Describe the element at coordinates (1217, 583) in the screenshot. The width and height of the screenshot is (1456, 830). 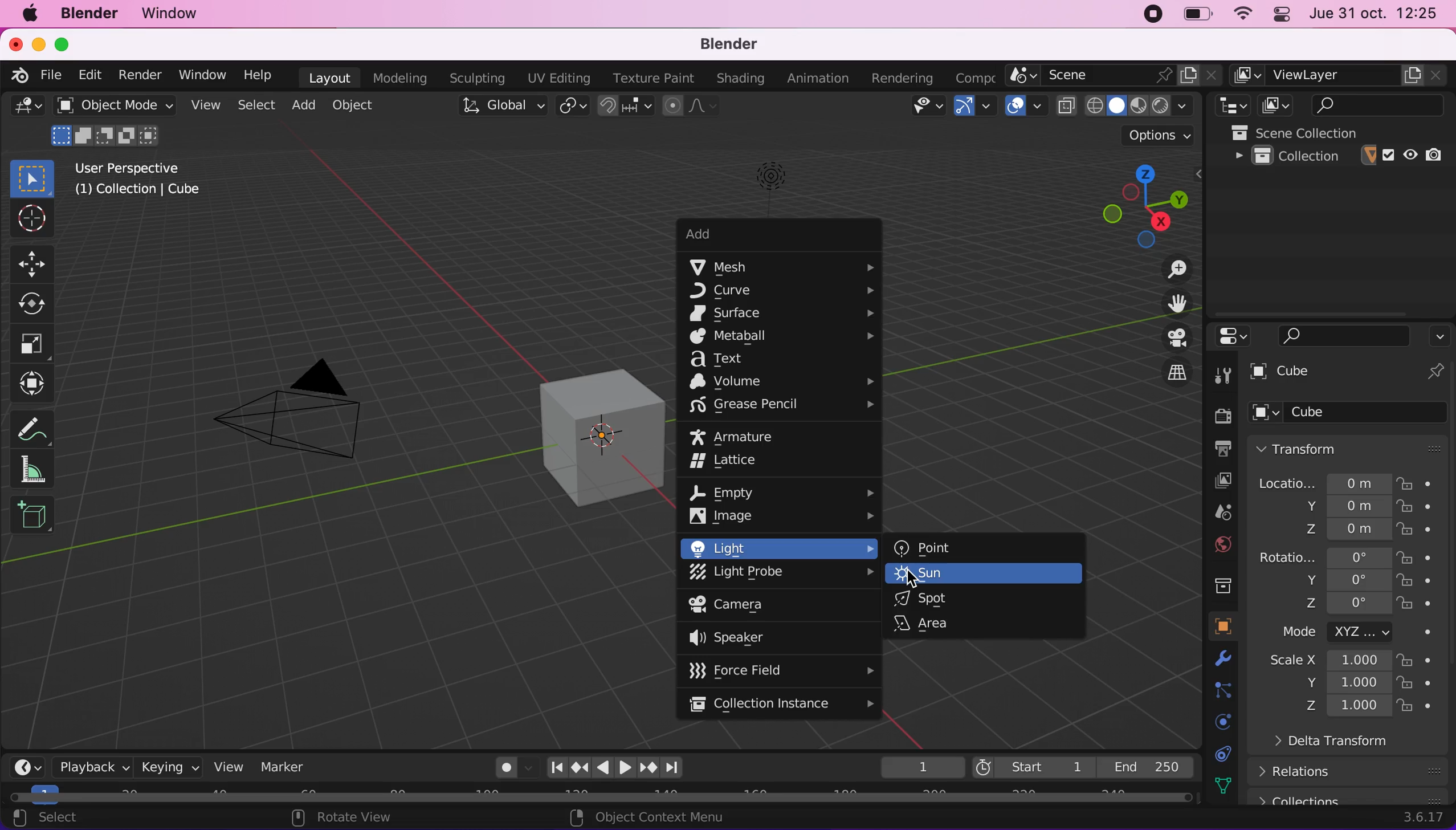
I see `collections` at that location.